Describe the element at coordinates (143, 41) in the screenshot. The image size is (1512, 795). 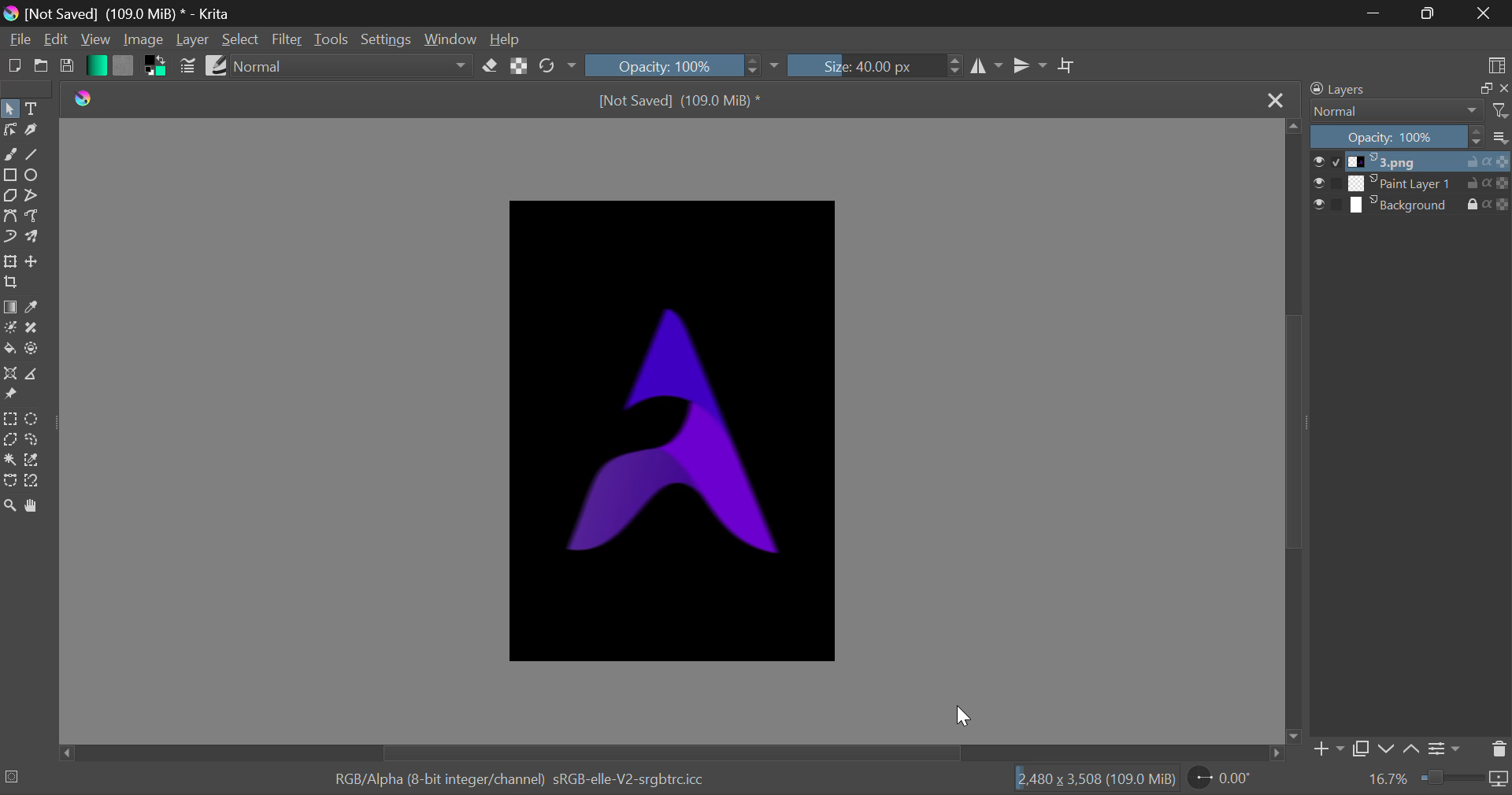
I see `Image` at that location.